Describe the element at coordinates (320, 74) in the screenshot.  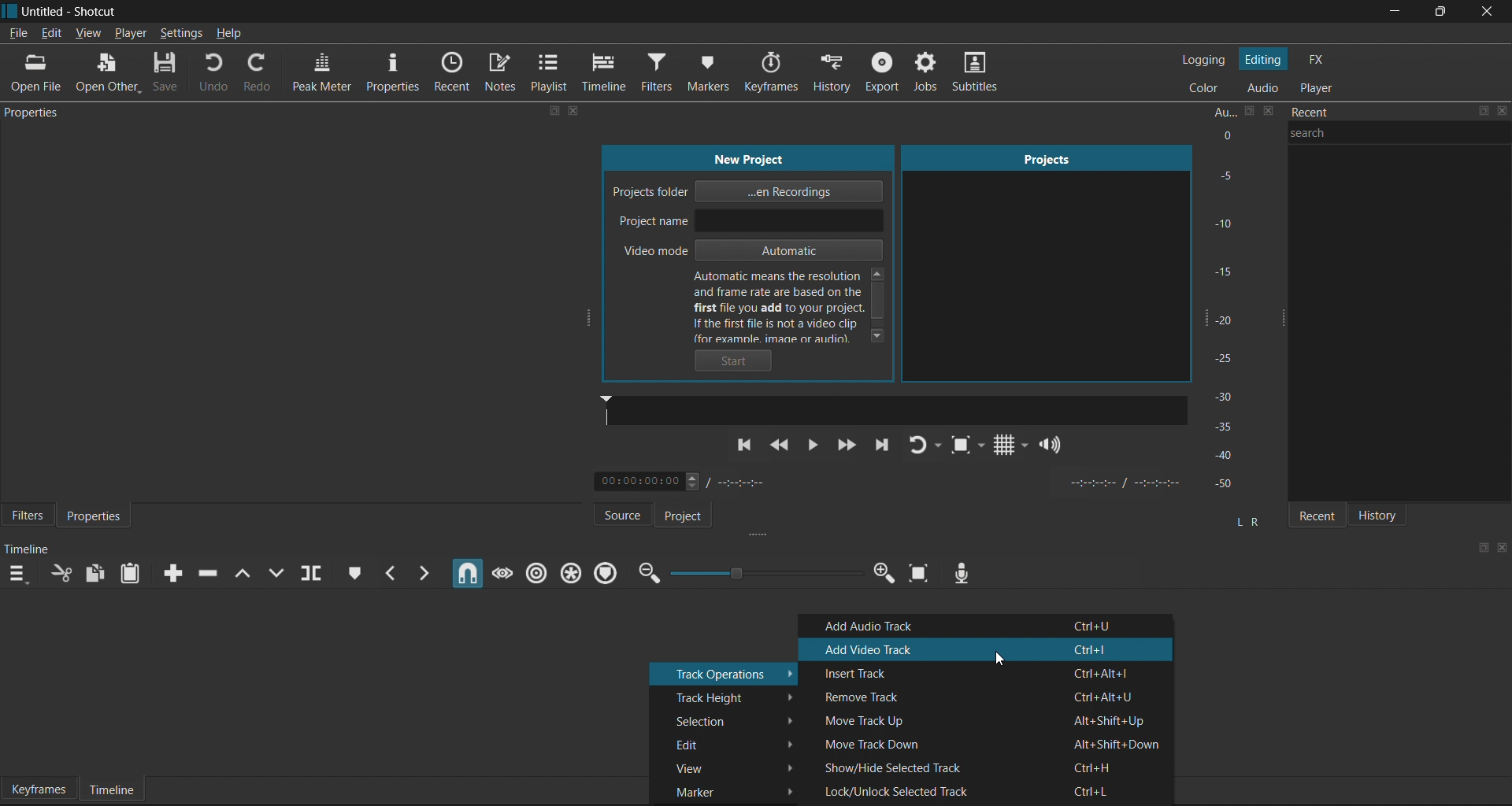
I see `Peak Meter` at that location.